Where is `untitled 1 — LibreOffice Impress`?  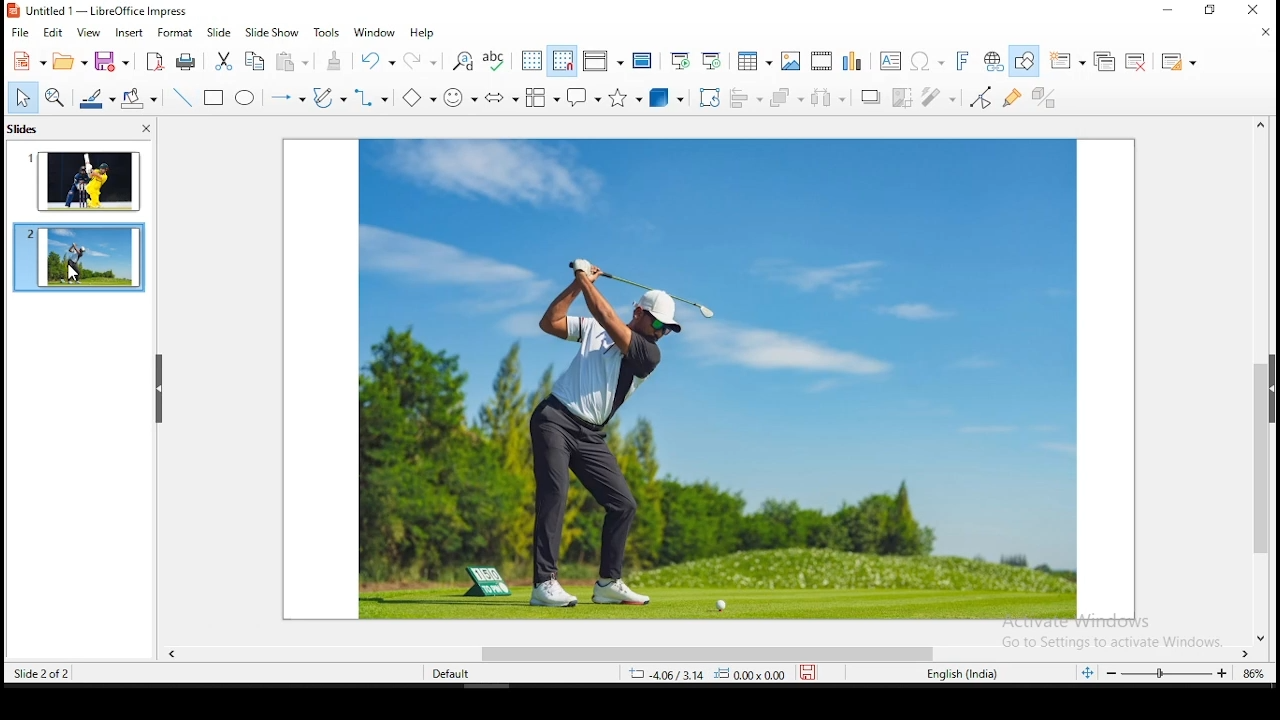 untitled 1 — LibreOffice Impress is located at coordinates (109, 11).